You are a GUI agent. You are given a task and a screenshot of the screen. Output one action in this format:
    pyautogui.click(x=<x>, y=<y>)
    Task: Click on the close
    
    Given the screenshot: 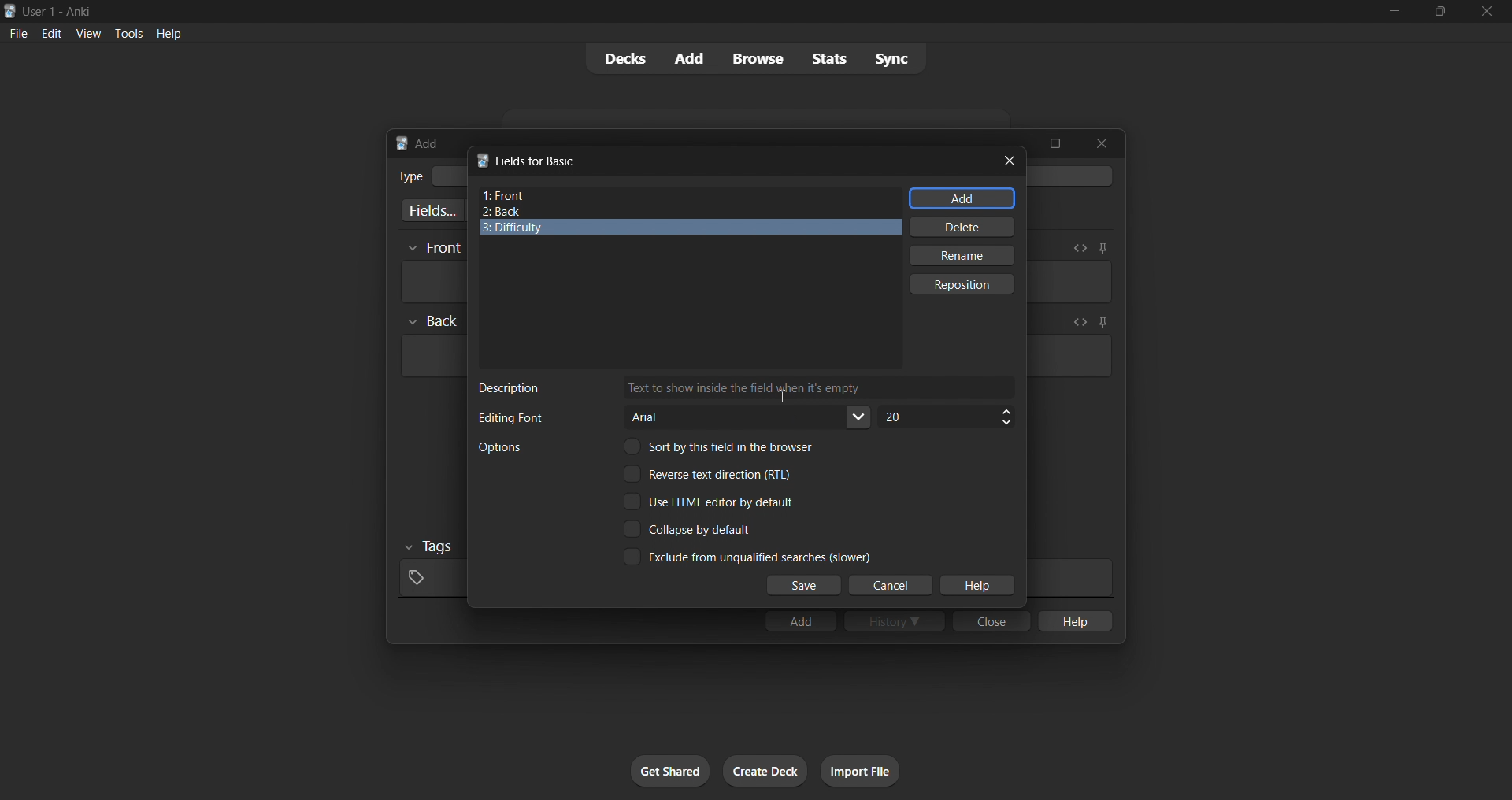 What is the action you would take?
    pyautogui.click(x=1487, y=12)
    